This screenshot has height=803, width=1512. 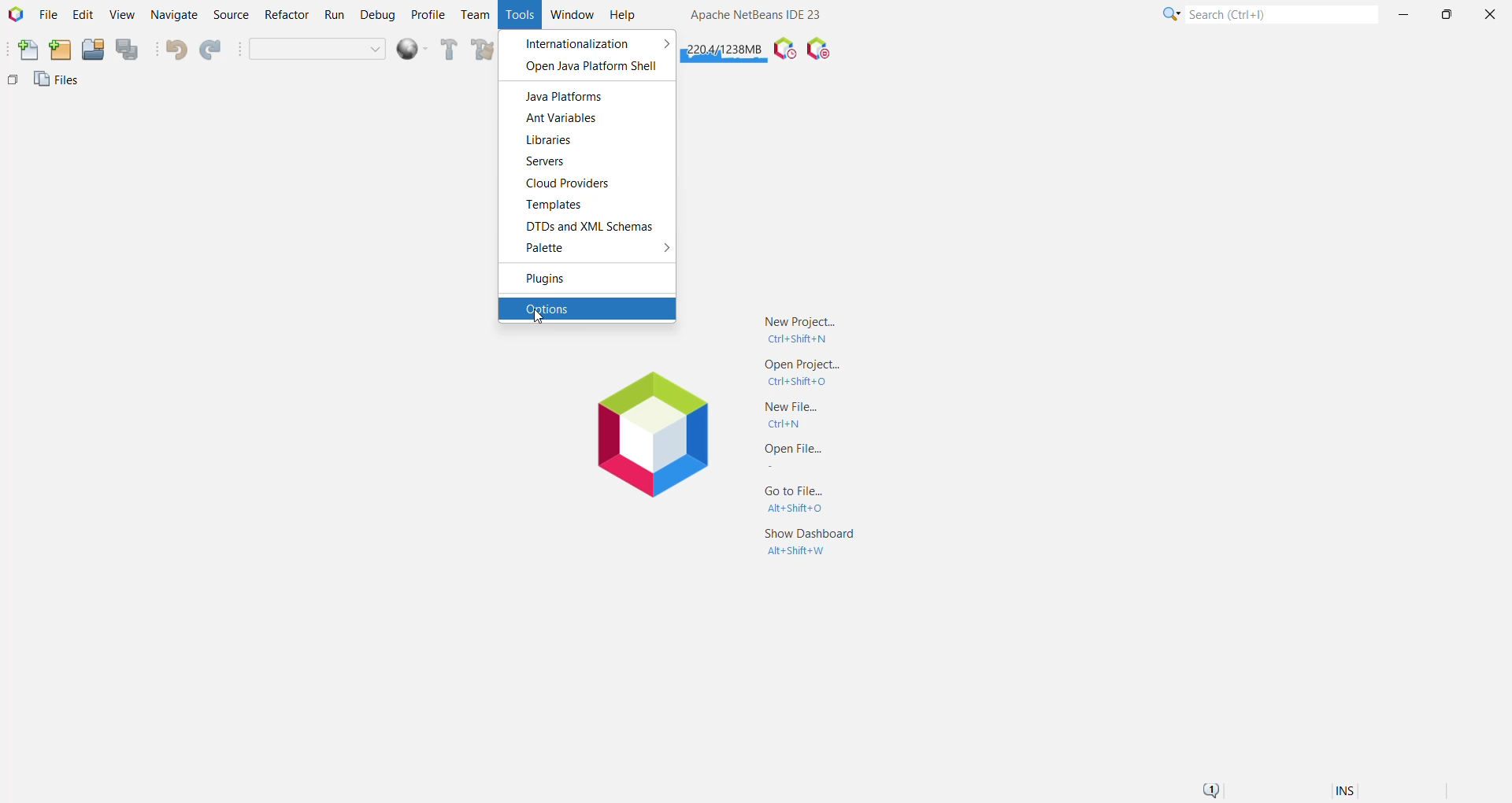 I want to click on Run, so click(x=335, y=17).